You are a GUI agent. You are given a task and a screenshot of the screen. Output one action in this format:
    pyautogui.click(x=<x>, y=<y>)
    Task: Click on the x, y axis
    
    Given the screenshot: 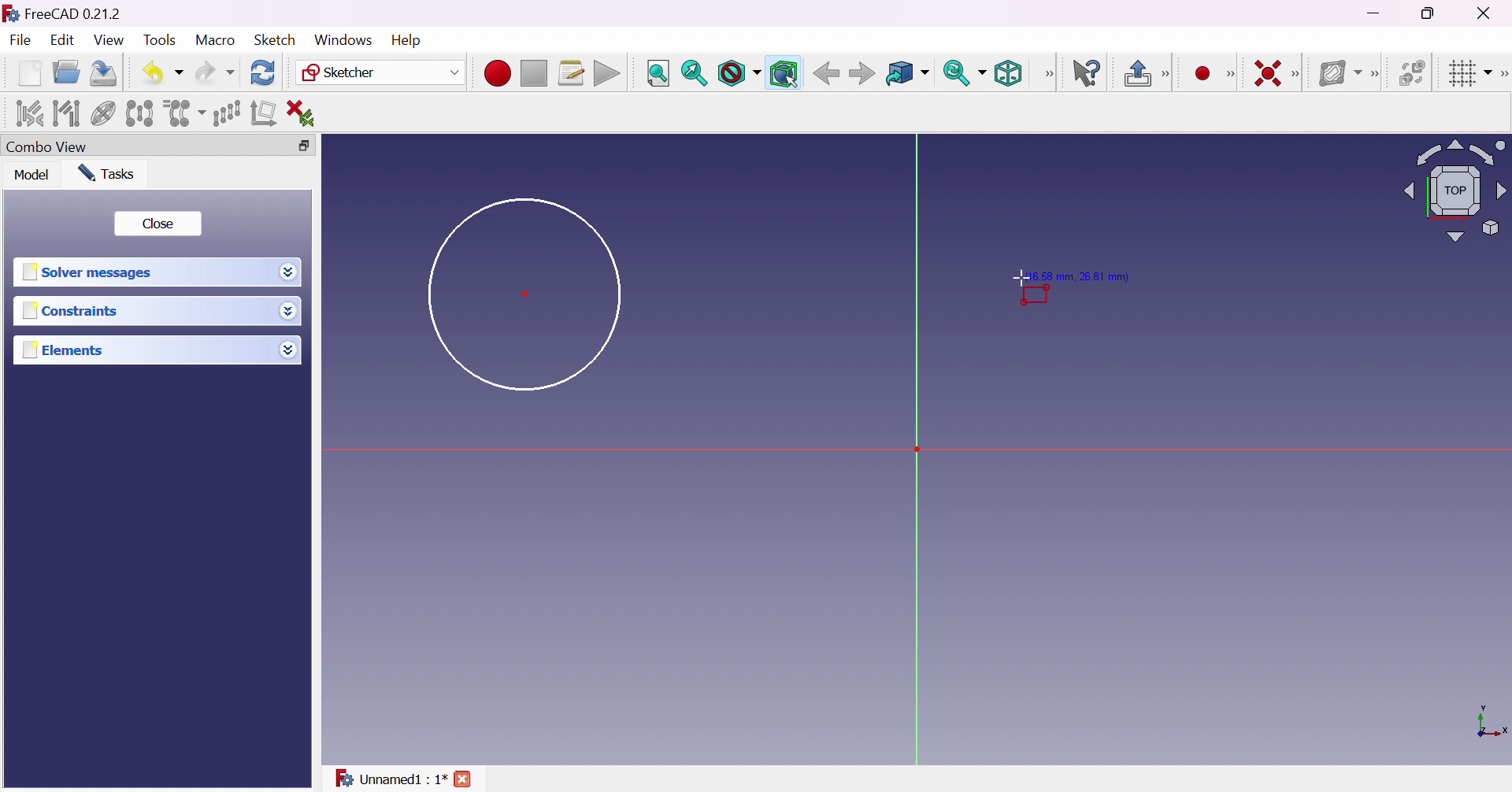 What is the action you would take?
    pyautogui.click(x=1490, y=723)
    